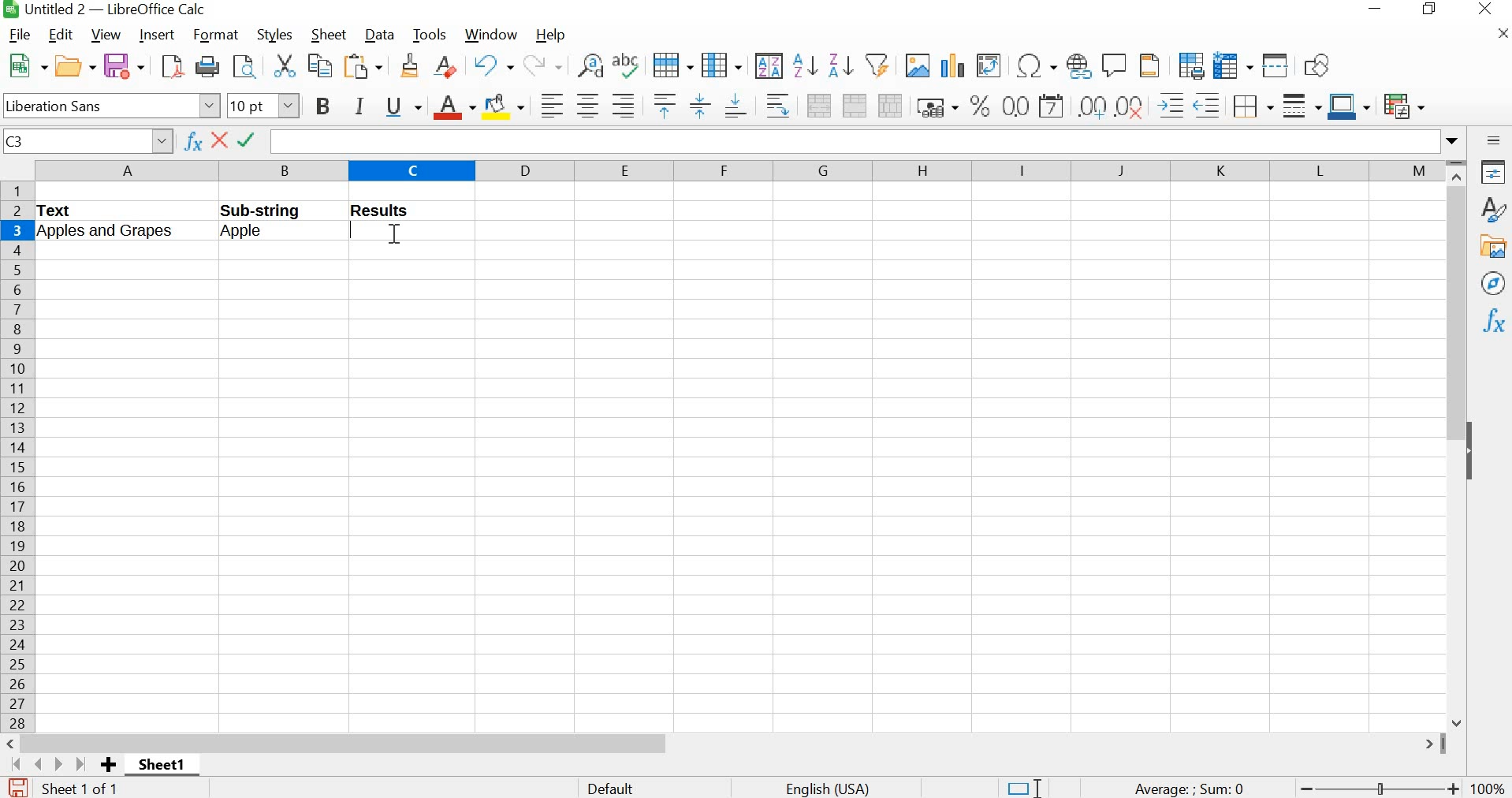 This screenshot has height=798, width=1512. What do you see at coordinates (193, 142) in the screenshot?
I see `function wizard` at bounding box center [193, 142].